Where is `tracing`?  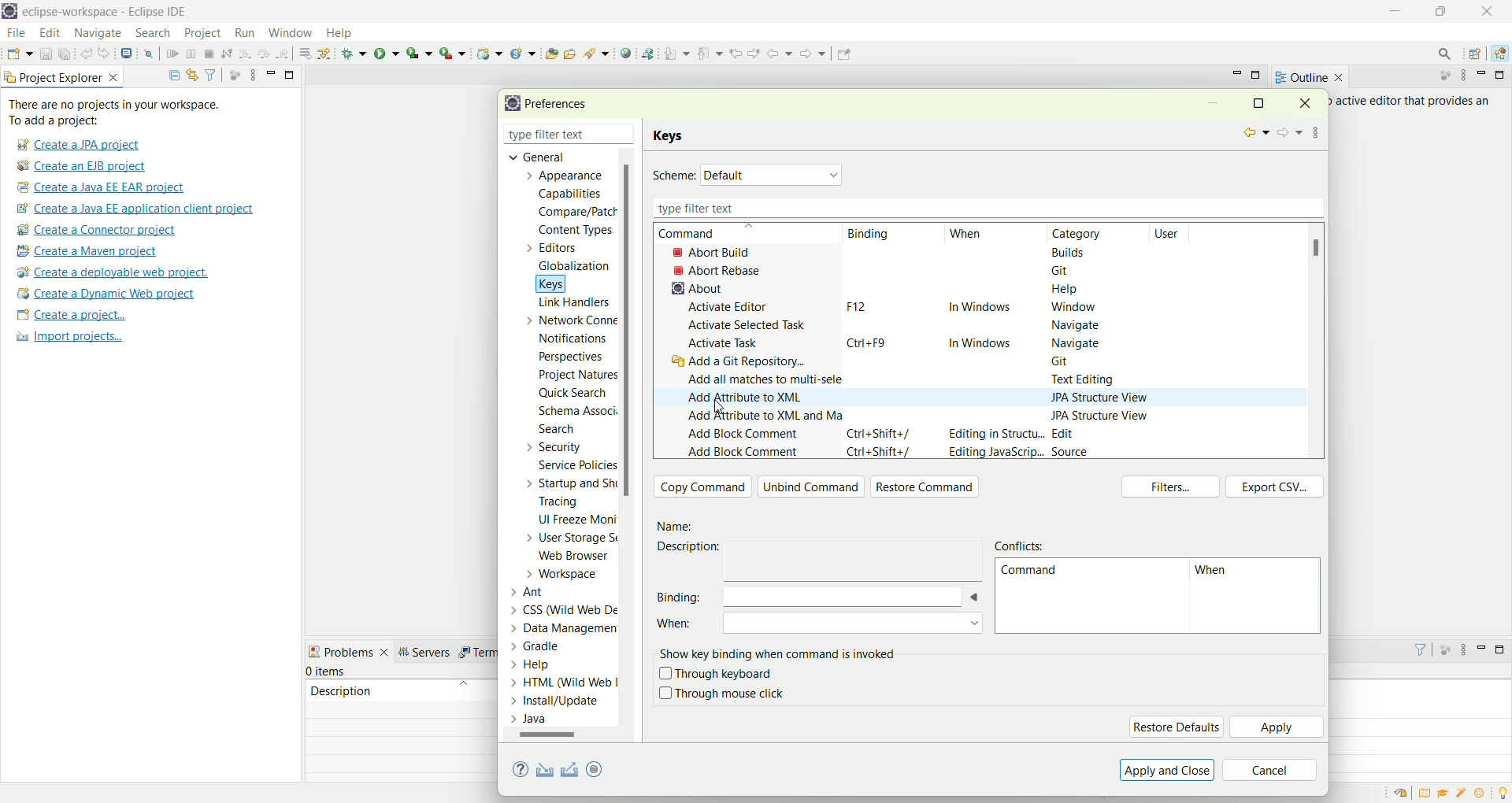 tracing is located at coordinates (569, 503).